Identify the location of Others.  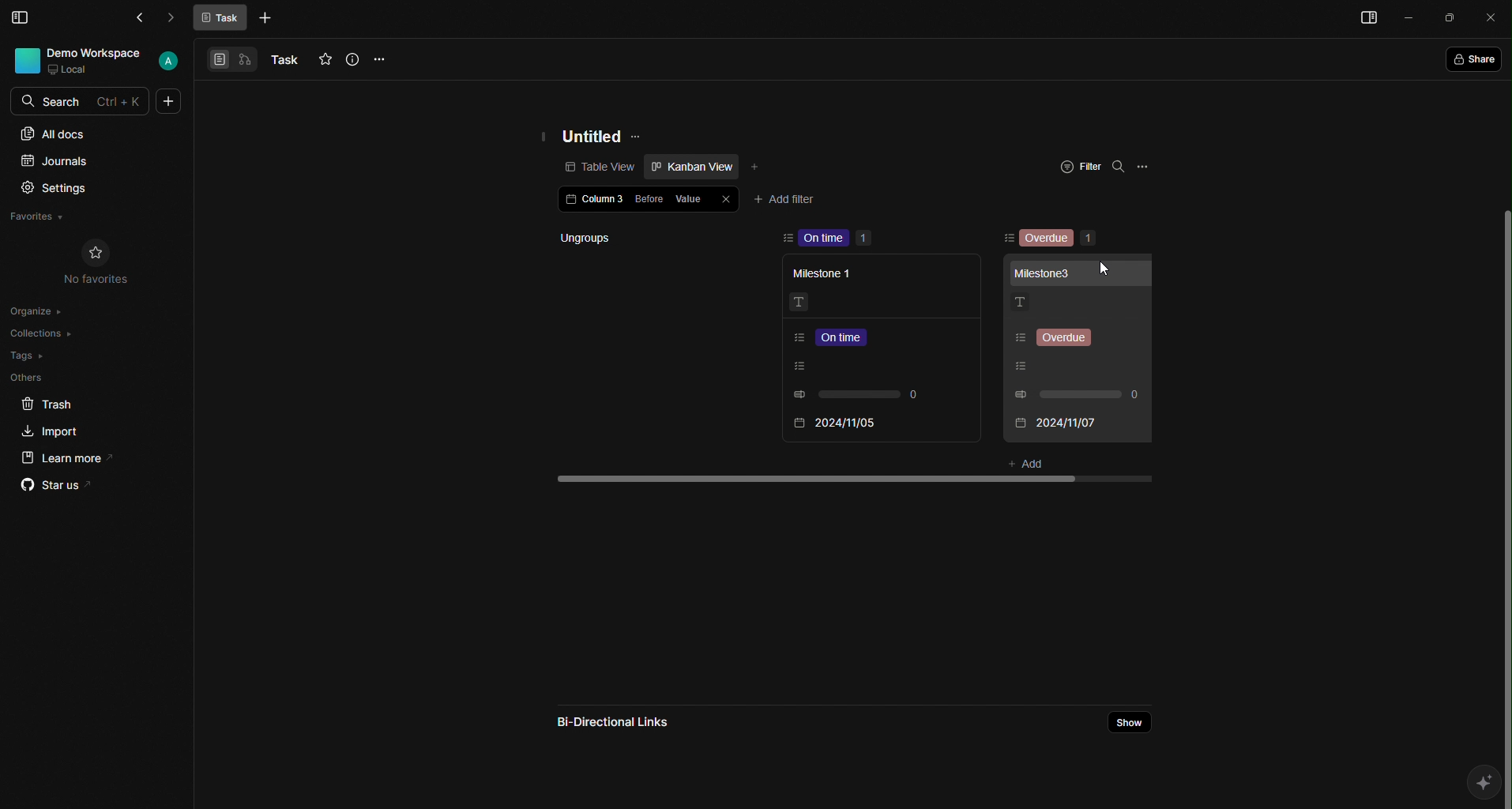
(27, 379).